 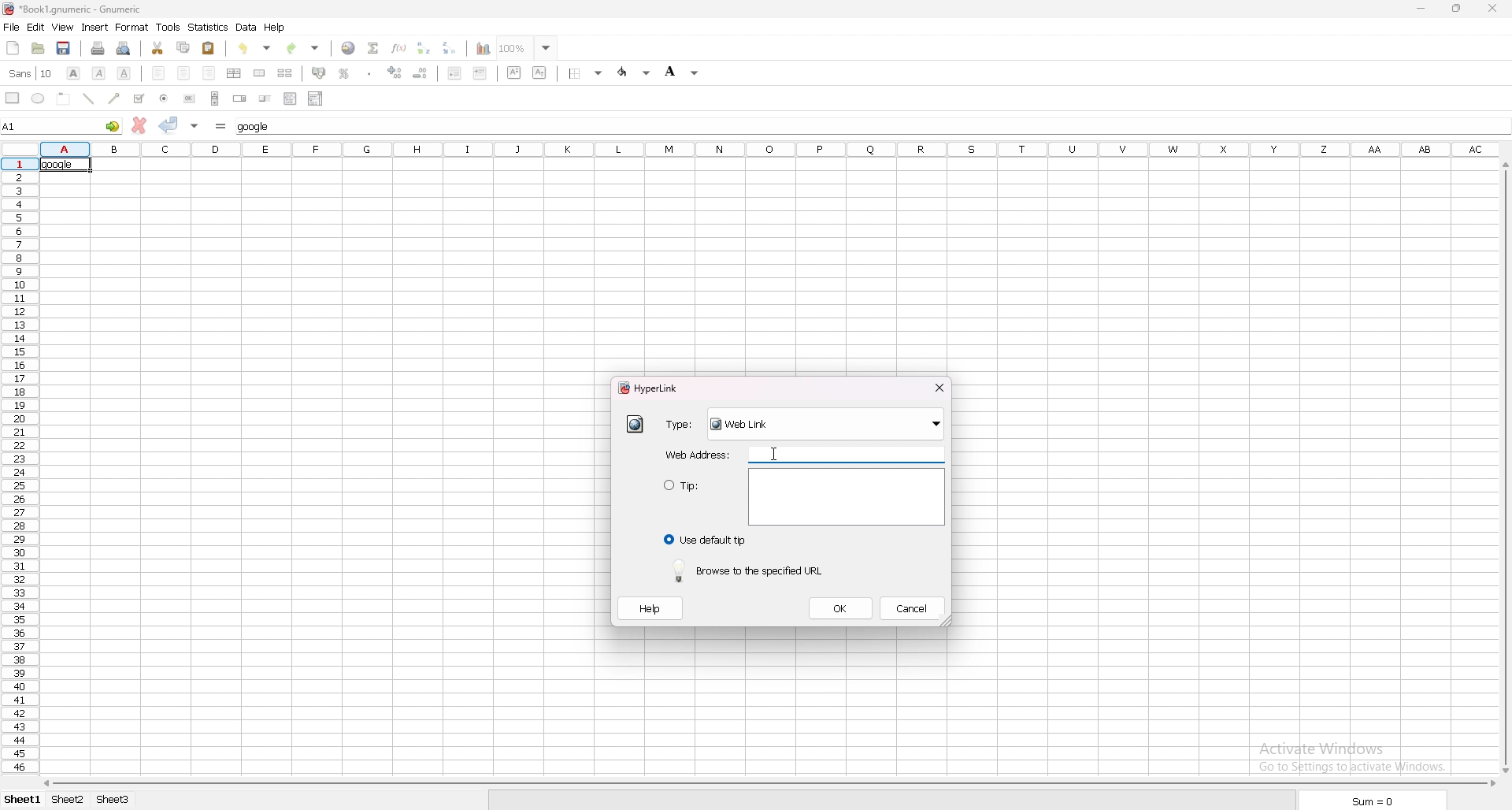 I want to click on selected cell, so click(x=64, y=165).